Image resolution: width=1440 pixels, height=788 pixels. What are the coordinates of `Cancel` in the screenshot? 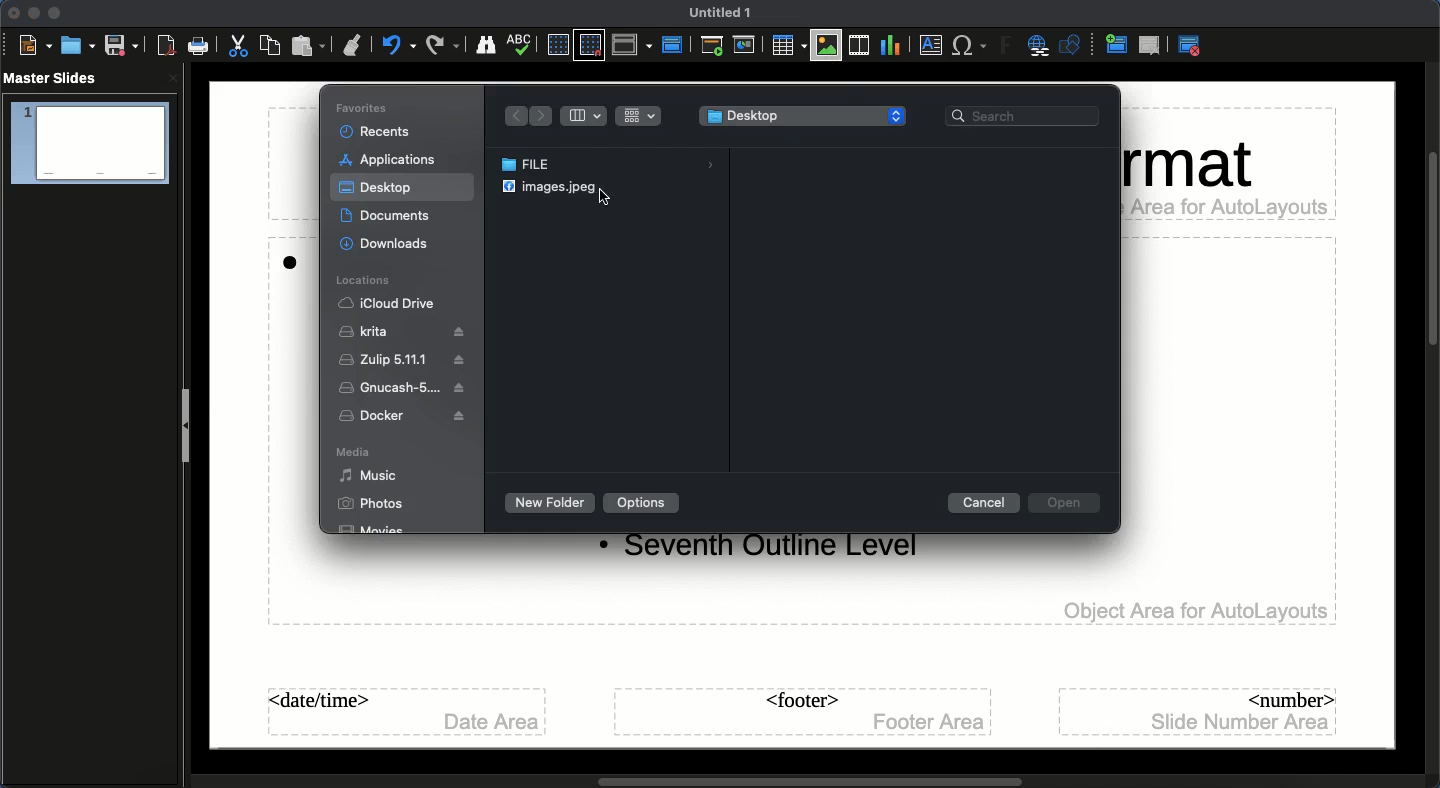 It's located at (985, 503).